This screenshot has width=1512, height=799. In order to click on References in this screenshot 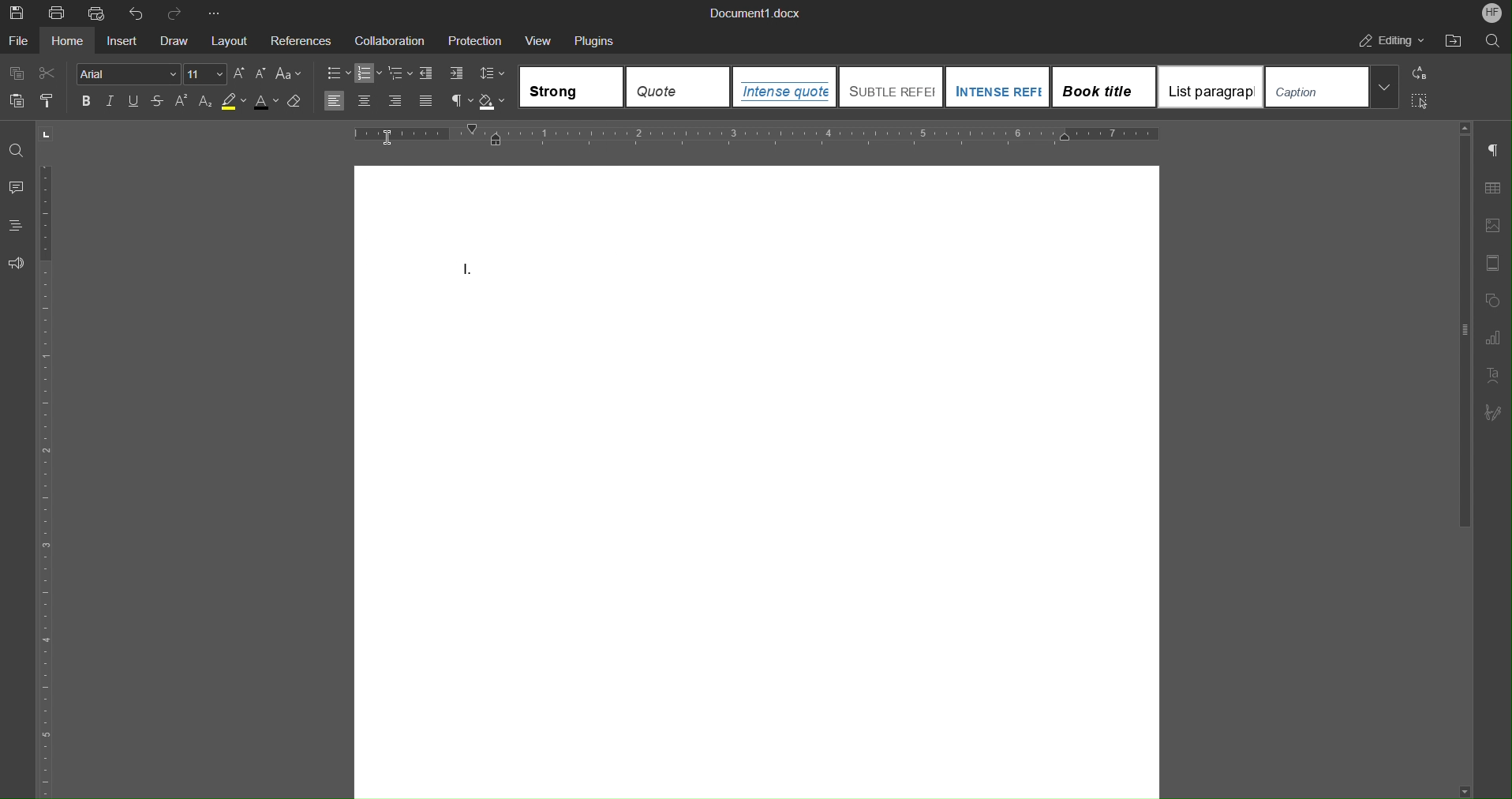, I will do `click(300, 40)`.